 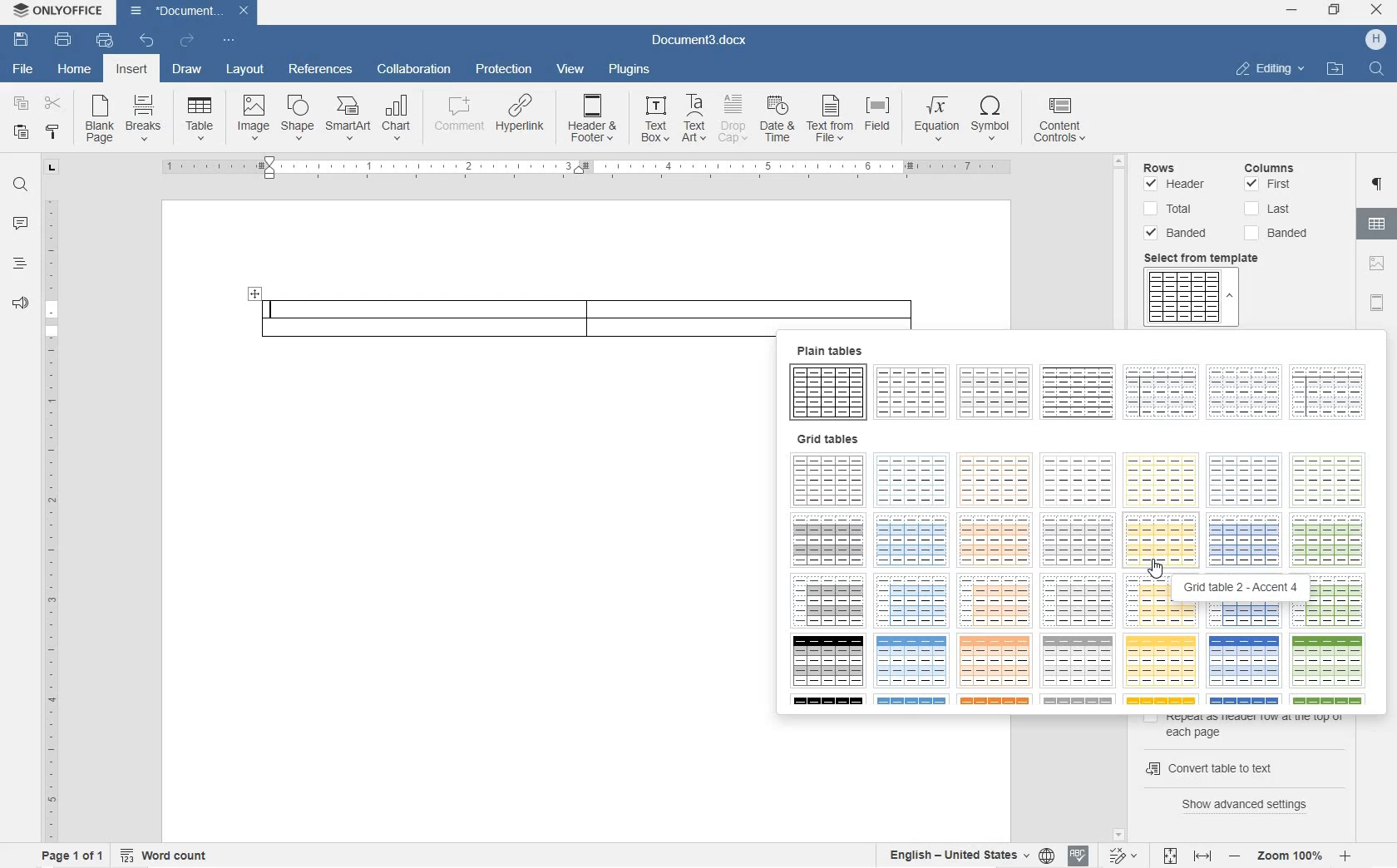 What do you see at coordinates (570, 69) in the screenshot?
I see `VIEW` at bounding box center [570, 69].